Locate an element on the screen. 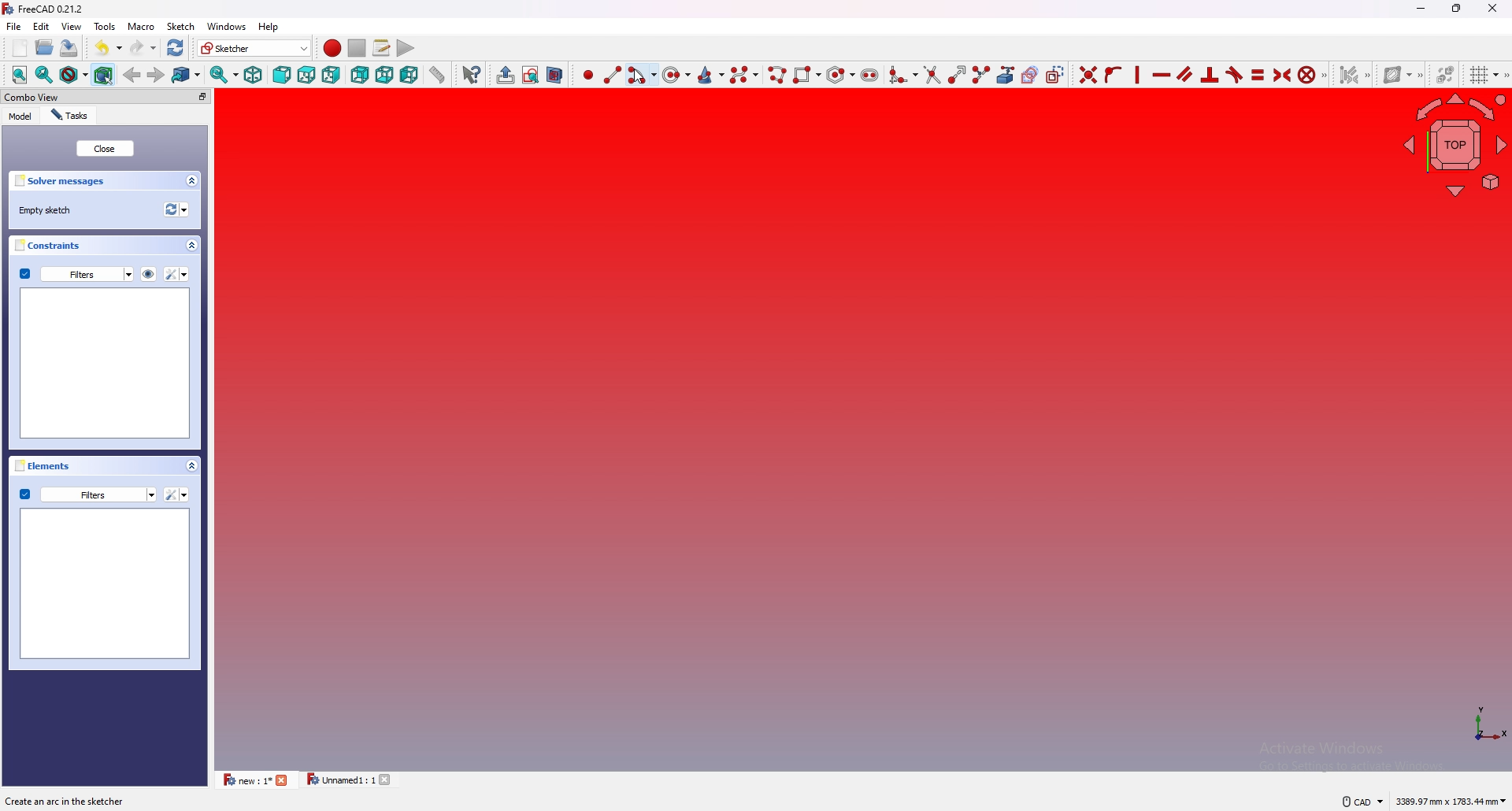 Image resolution: width=1512 pixels, height=811 pixels. split edge is located at coordinates (980, 74).